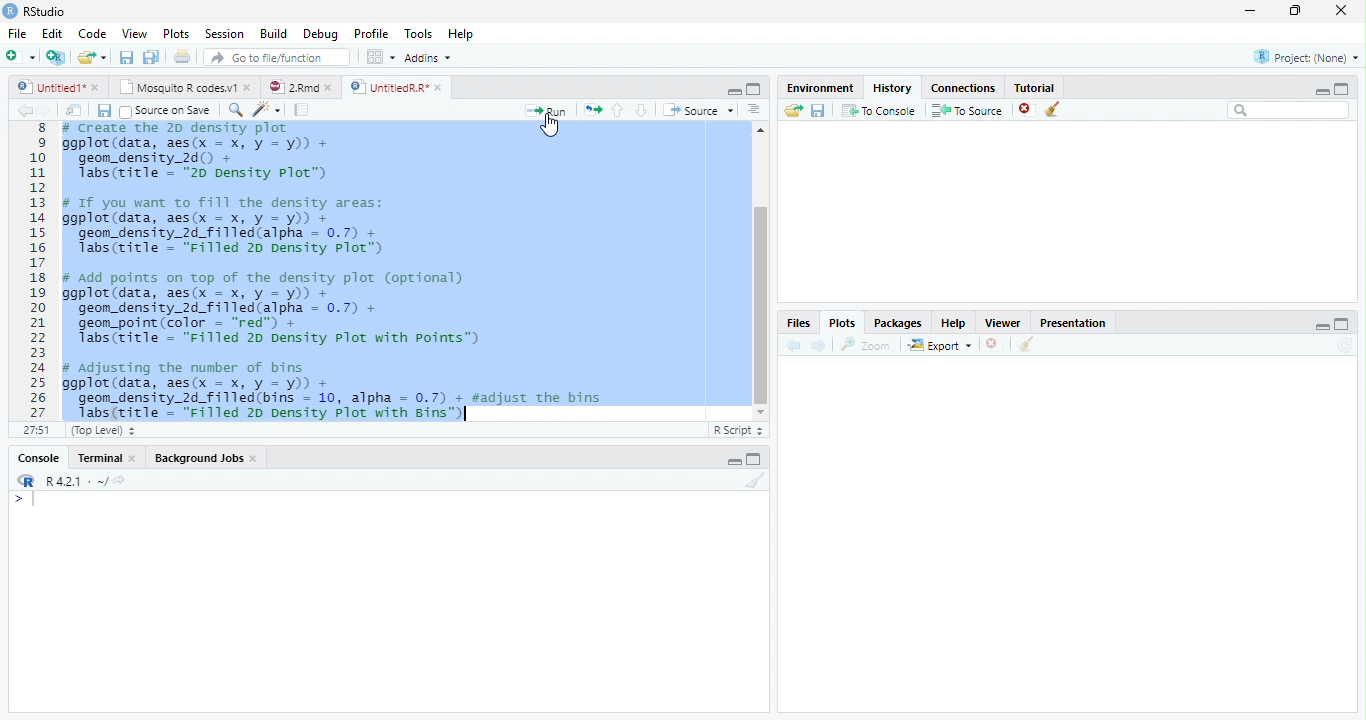 The height and width of the screenshot is (720, 1366). What do you see at coordinates (302, 111) in the screenshot?
I see `compile report` at bounding box center [302, 111].